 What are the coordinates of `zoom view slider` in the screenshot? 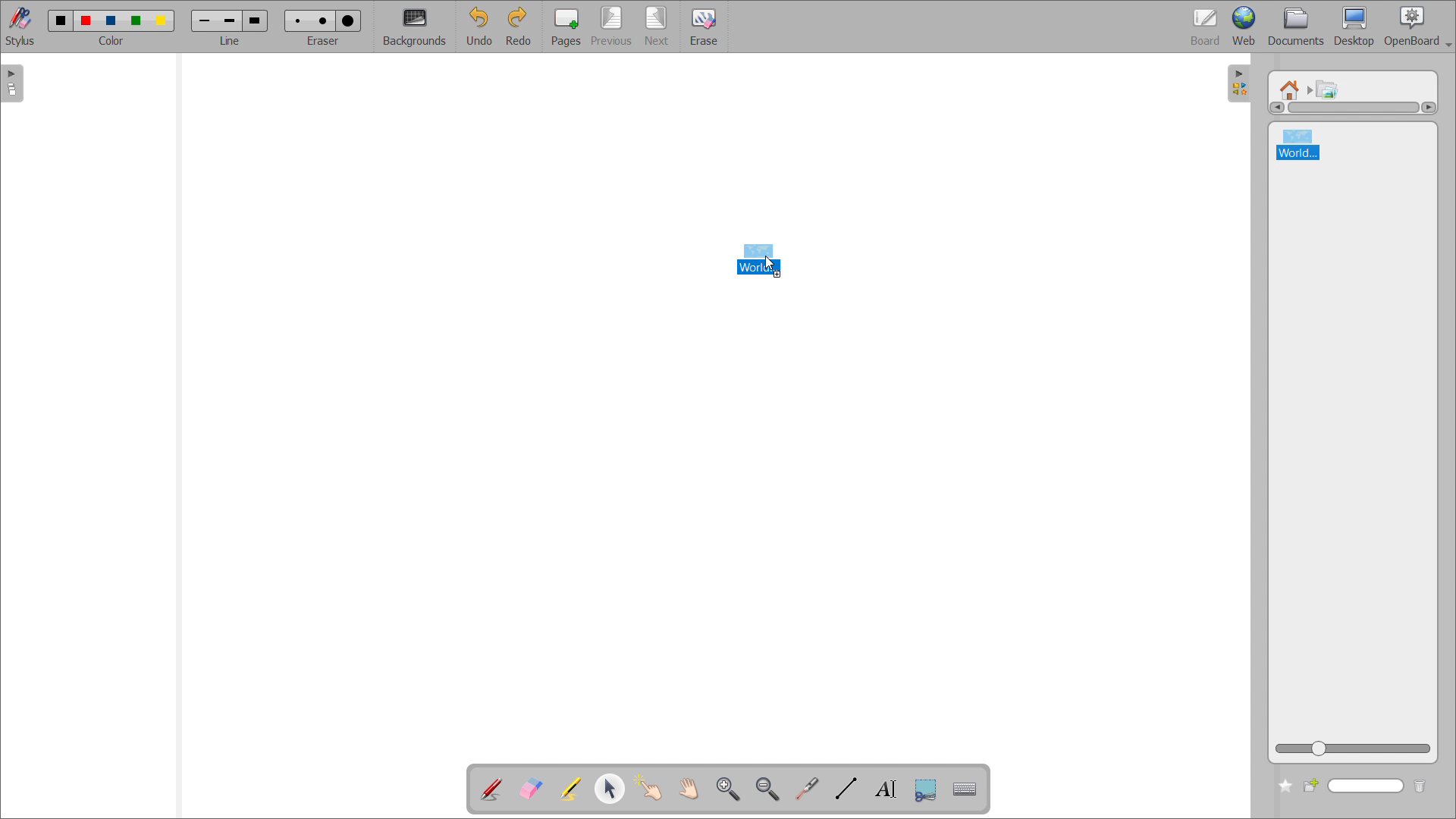 It's located at (1354, 748).